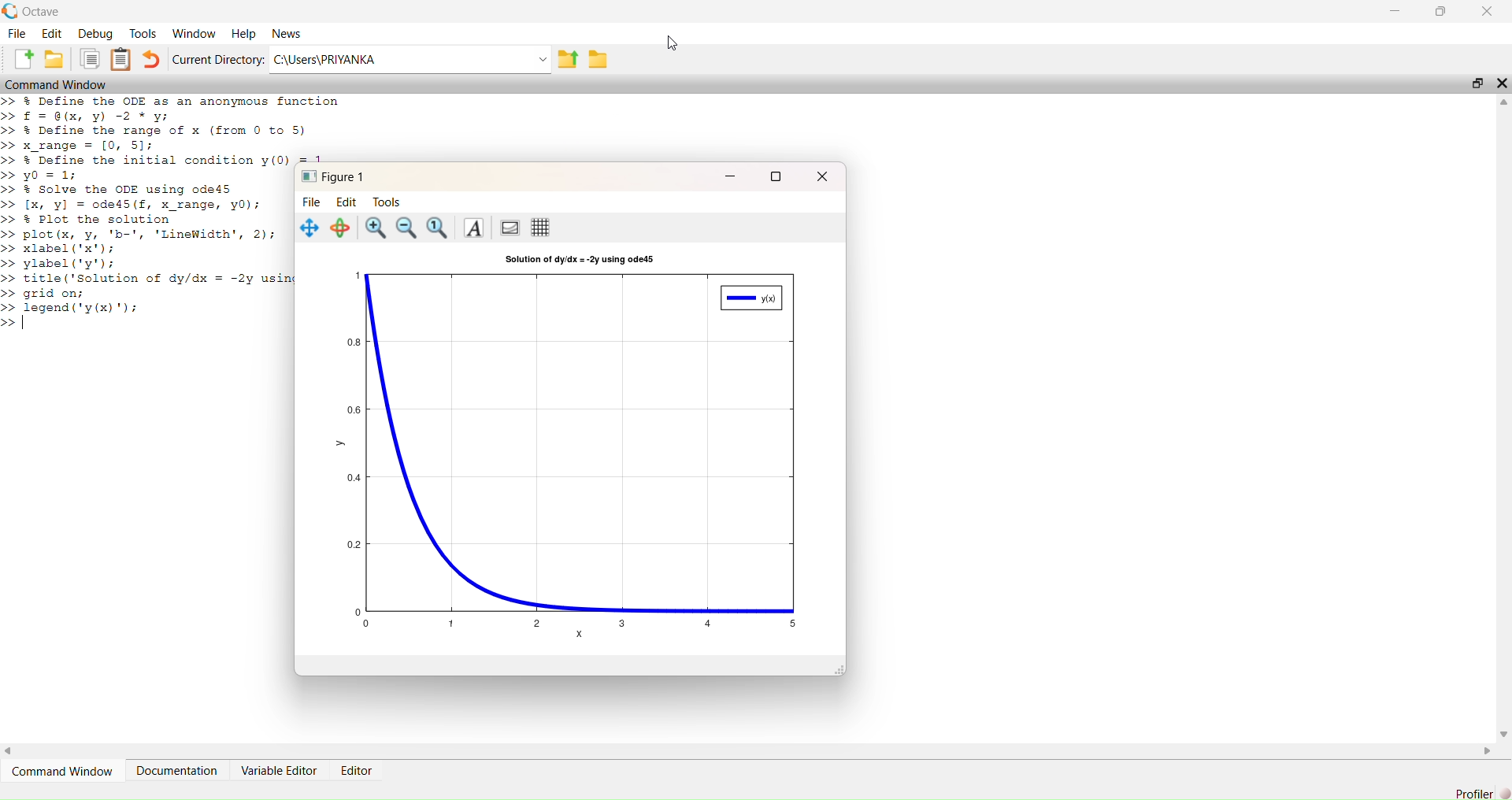 The image size is (1512, 800). I want to click on Current Directory:, so click(218, 59).